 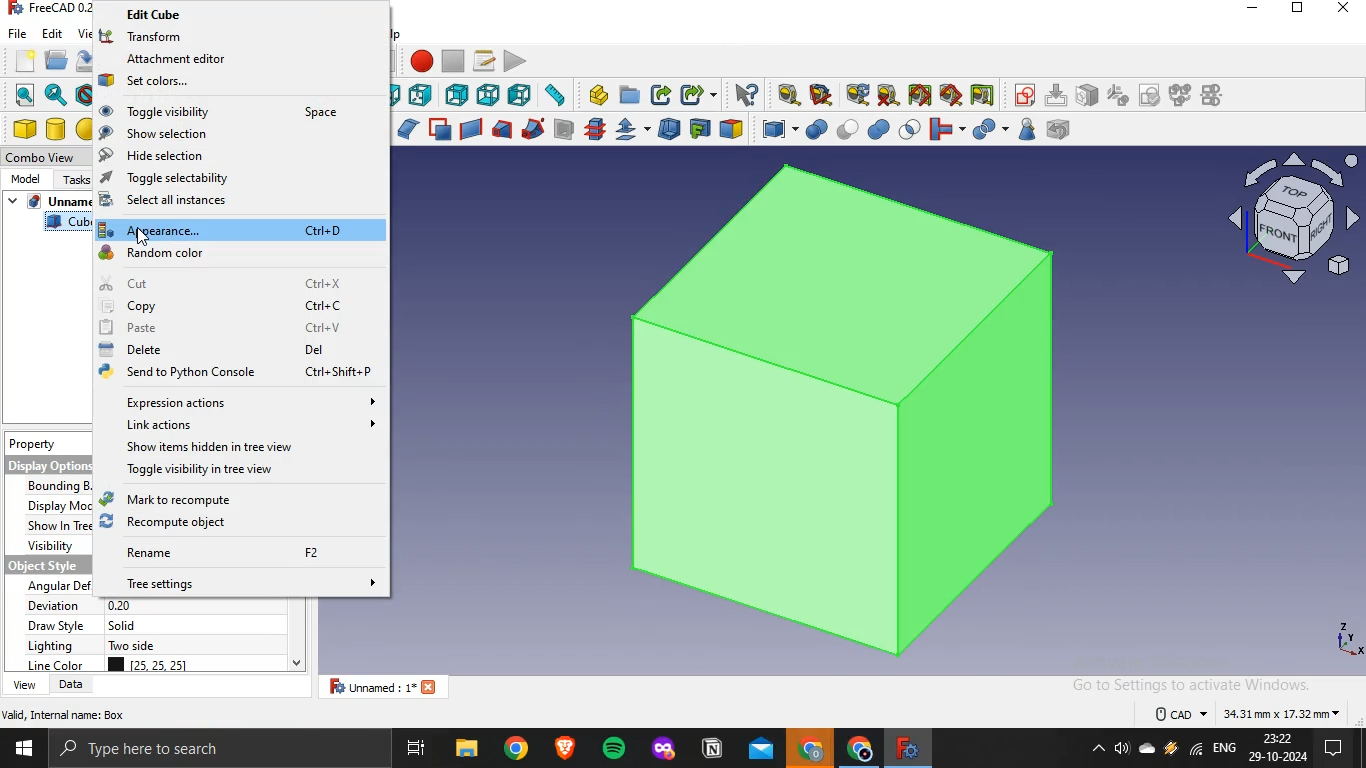 I want to click on open file, so click(x=54, y=59).